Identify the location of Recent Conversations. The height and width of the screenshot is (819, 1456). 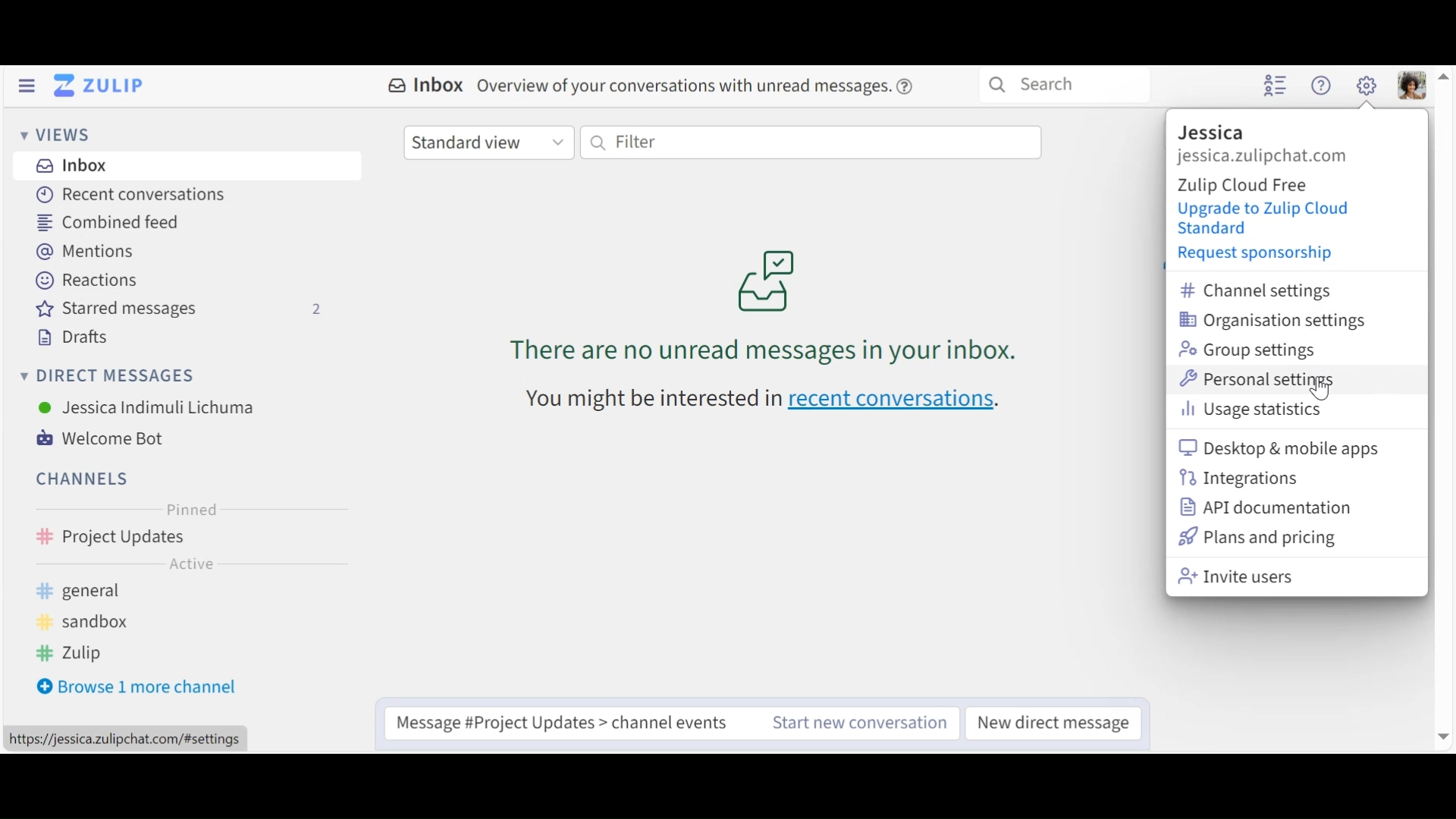
(130, 194).